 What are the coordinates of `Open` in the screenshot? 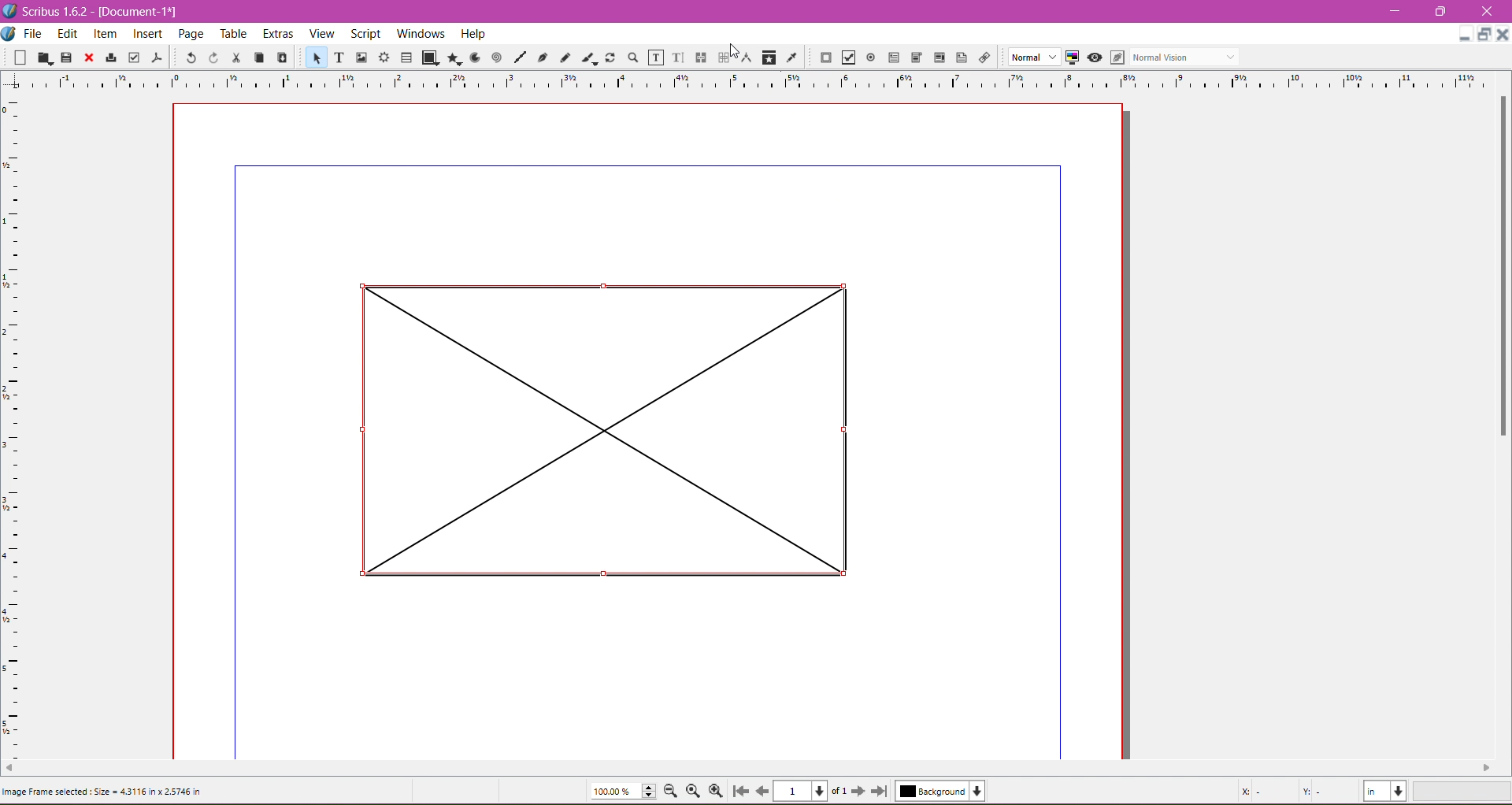 It's located at (45, 57).